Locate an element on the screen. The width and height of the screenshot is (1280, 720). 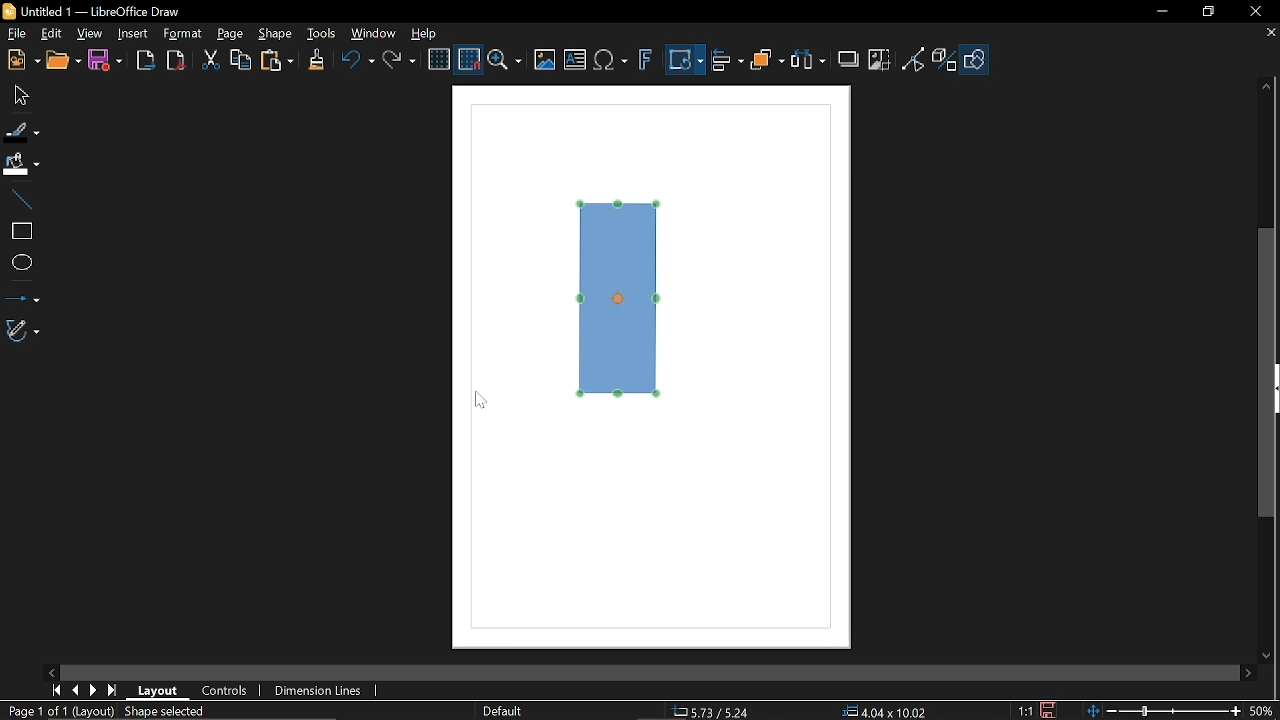
Shape selected is located at coordinates (182, 711).